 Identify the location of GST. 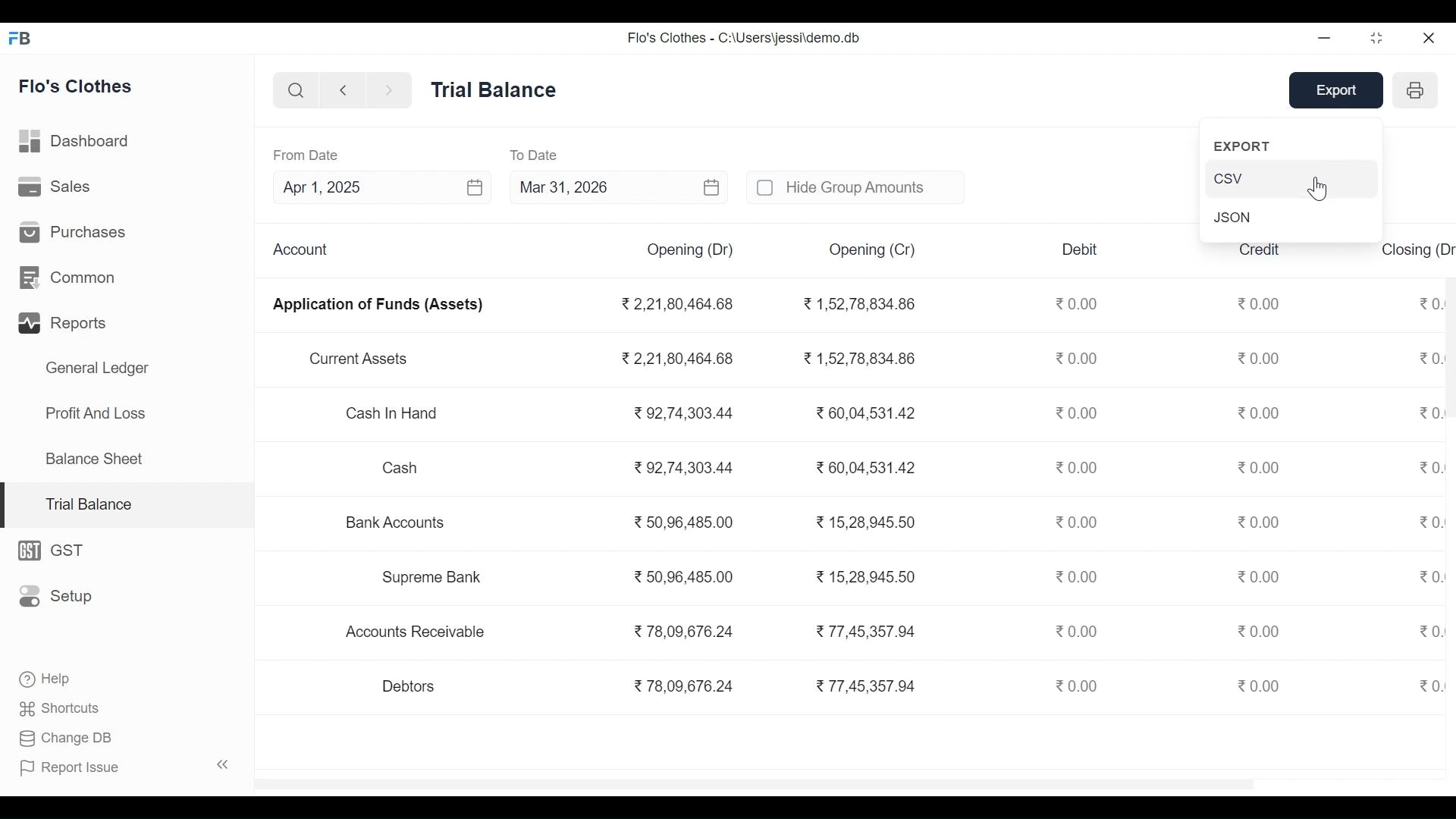
(58, 551).